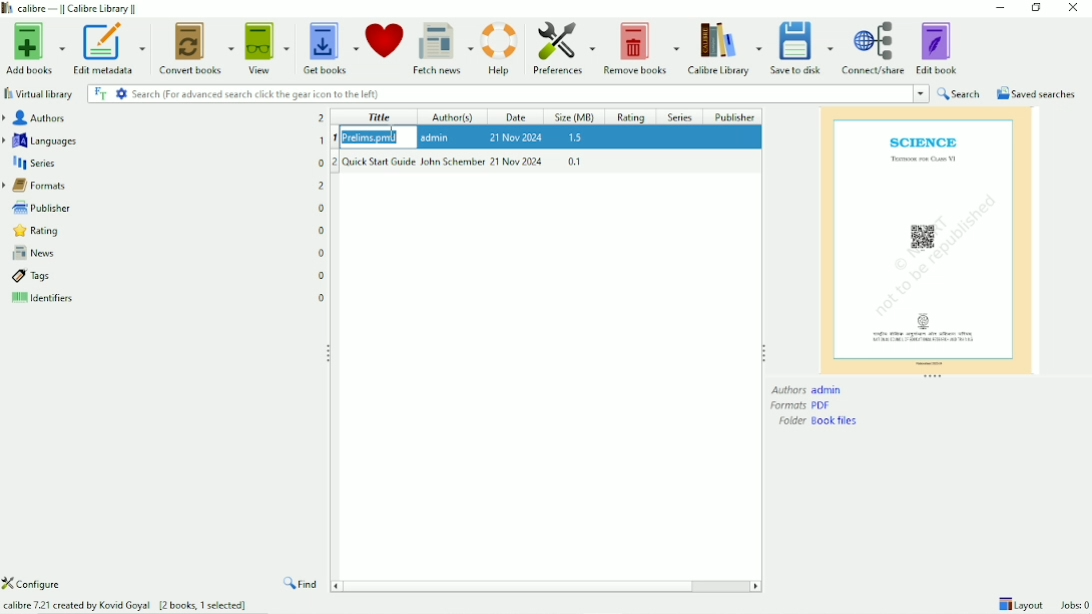 Image resolution: width=1092 pixels, height=614 pixels. What do you see at coordinates (302, 584) in the screenshot?
I see `Find` at bounding box center [302, 584].